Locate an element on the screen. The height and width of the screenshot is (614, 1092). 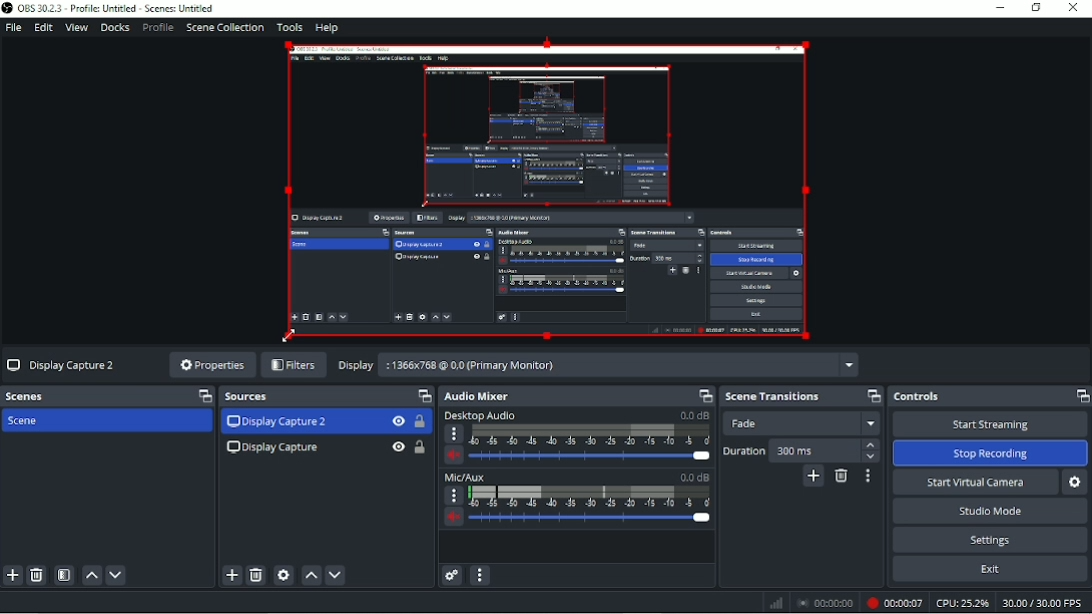
Scenes is located at coordinates (29, 397).